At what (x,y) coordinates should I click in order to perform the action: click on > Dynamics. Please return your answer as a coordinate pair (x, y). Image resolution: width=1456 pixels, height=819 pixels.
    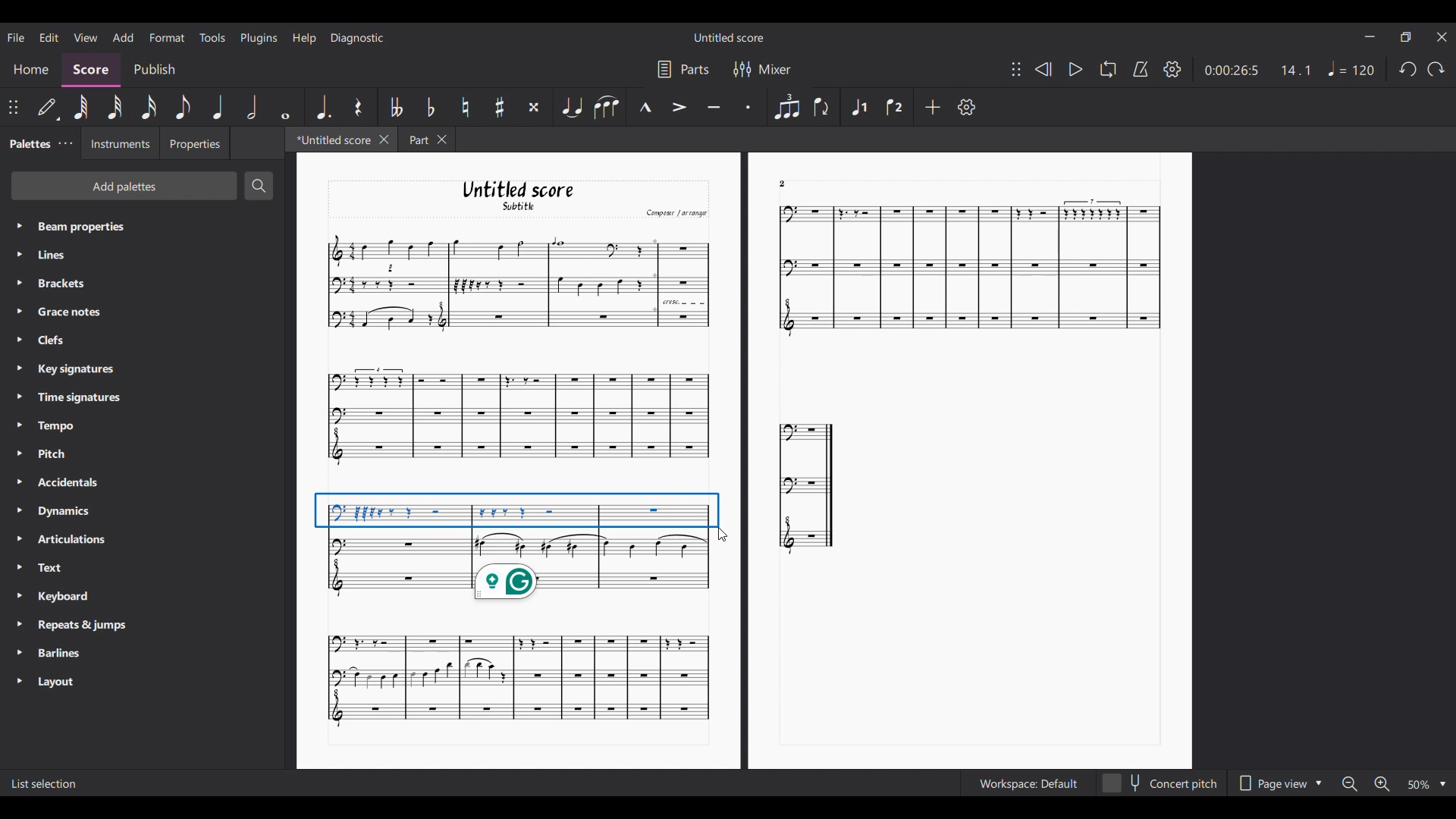
    Looking at the image, I should click on (61, 513).